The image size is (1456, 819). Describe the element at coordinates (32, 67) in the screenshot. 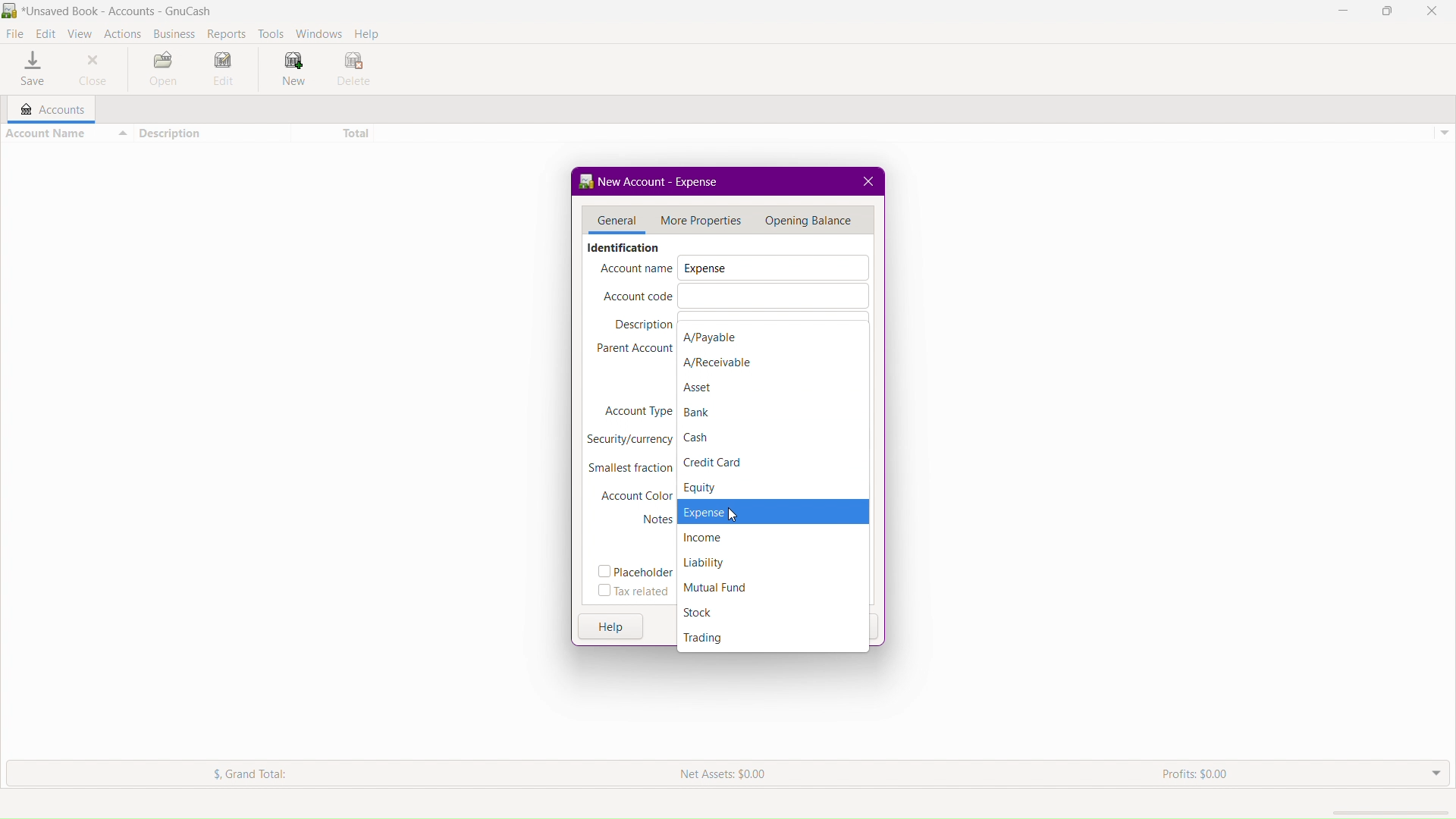

I see `Save` at that location.